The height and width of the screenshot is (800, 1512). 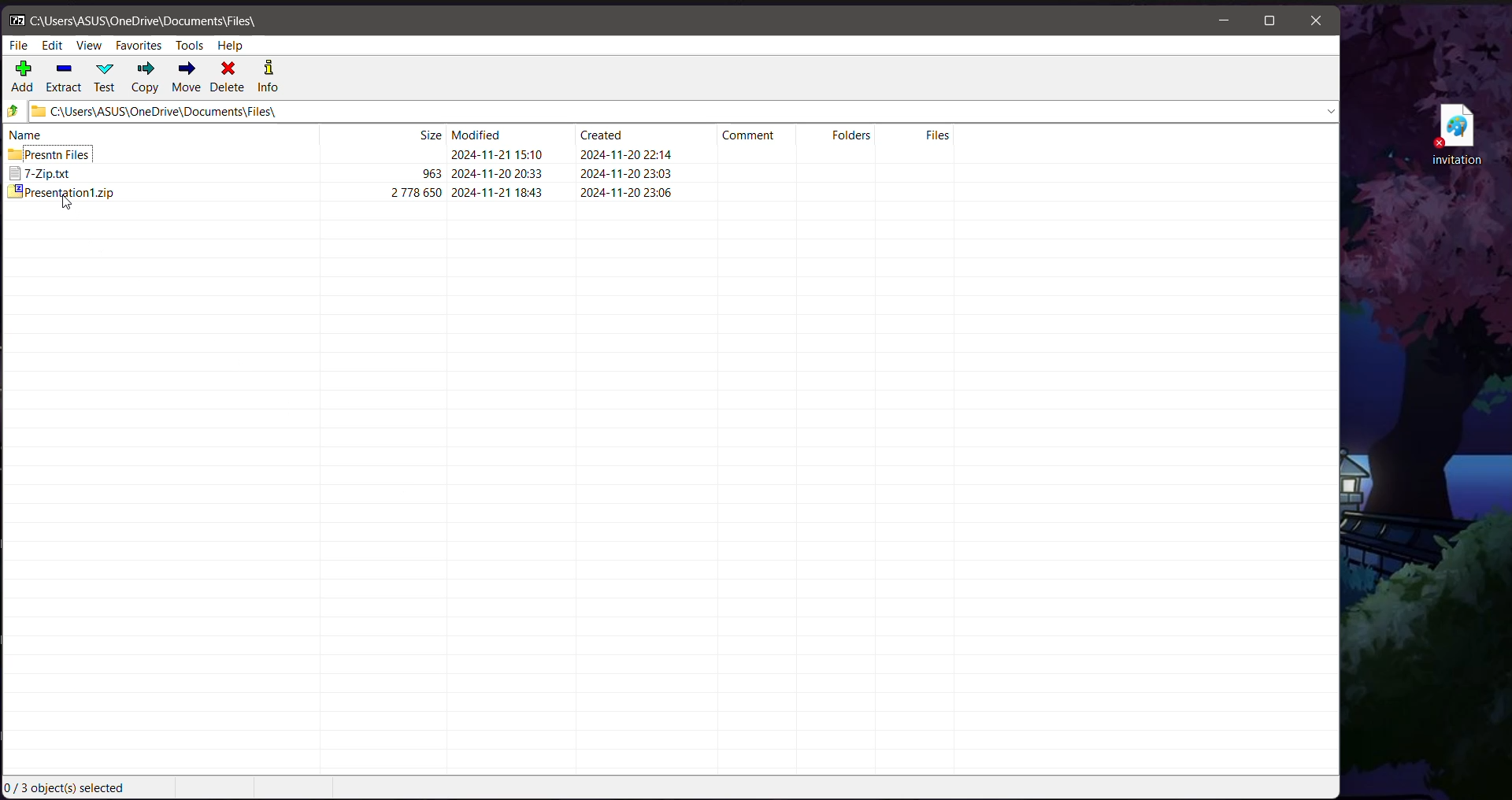 I want to click on presentationt.zip 343592 2024-11-211843 2024-11-20 23:06, so click(x=341, y=194).